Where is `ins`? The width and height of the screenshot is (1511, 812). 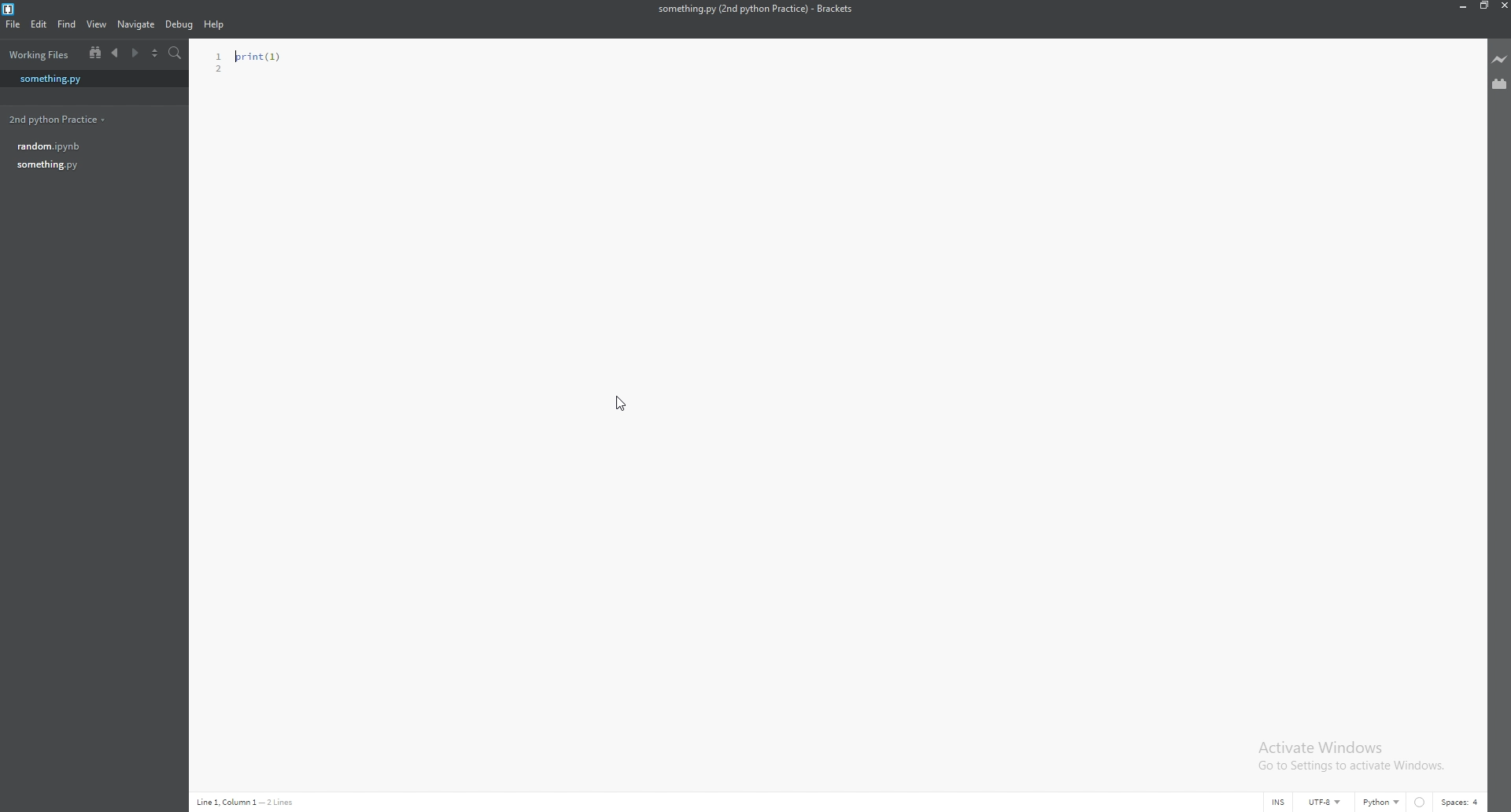 ins is located at coordinates (1279, 803).